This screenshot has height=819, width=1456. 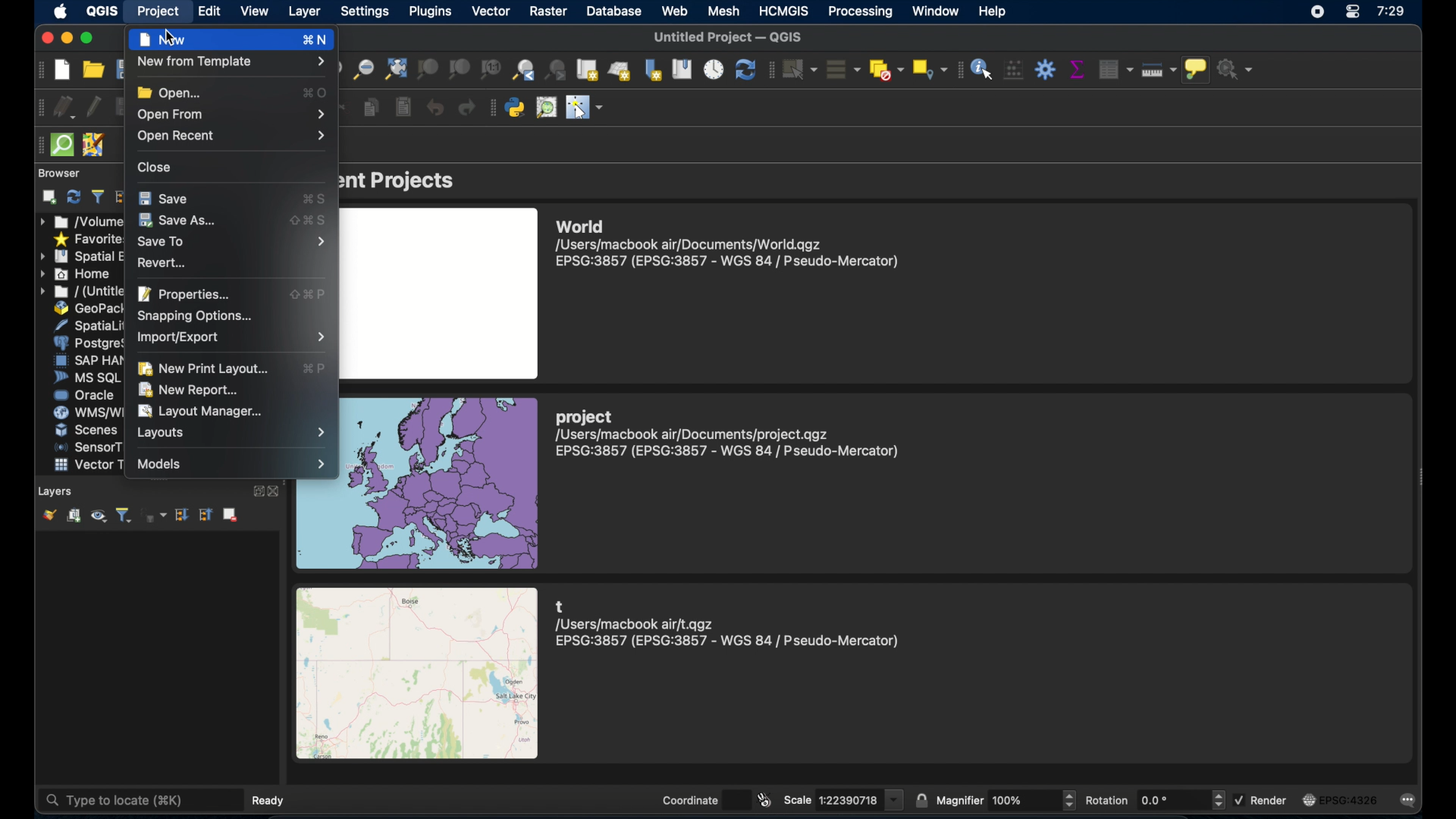 I want to click on icon, so click(x=59, y=431).